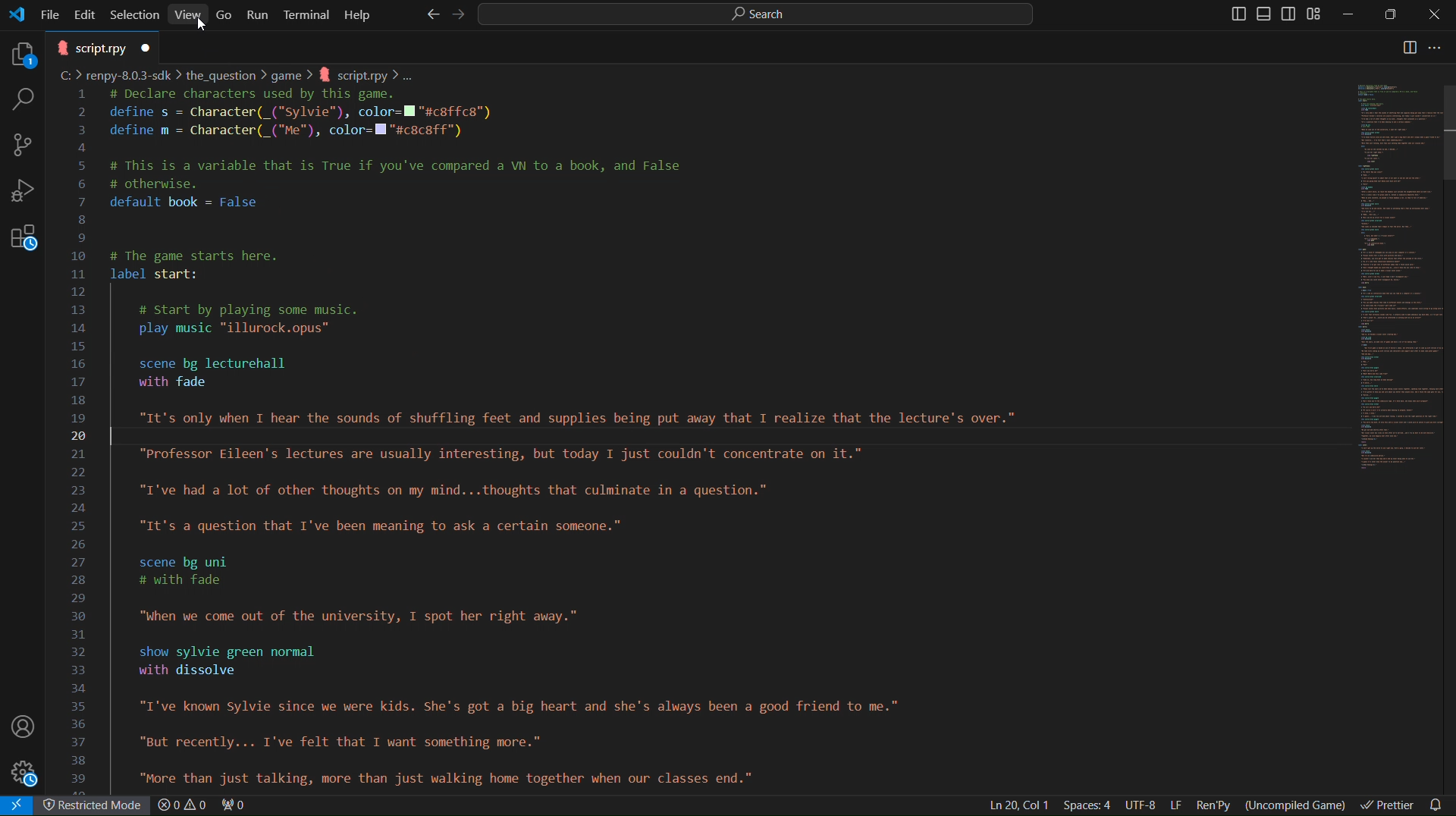 The height and width of the screenshot is (816, 1456). I want to click on Close, so click(1433, 14).